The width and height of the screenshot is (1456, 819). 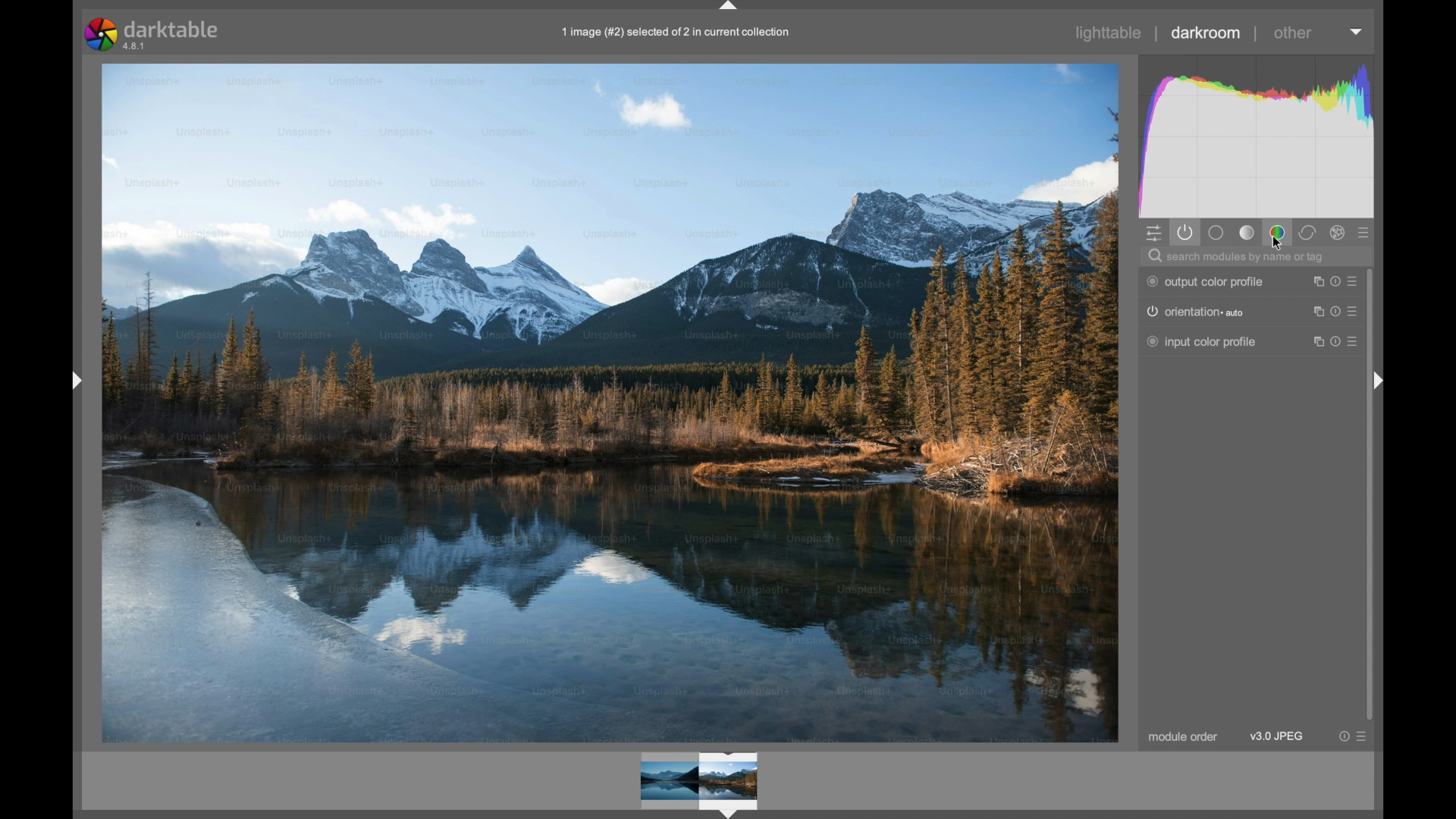 What do you see at coordinates (1246, 257) in the screenshot?
I see `search for modules by name or tag` at bounding box center [1246, 257].